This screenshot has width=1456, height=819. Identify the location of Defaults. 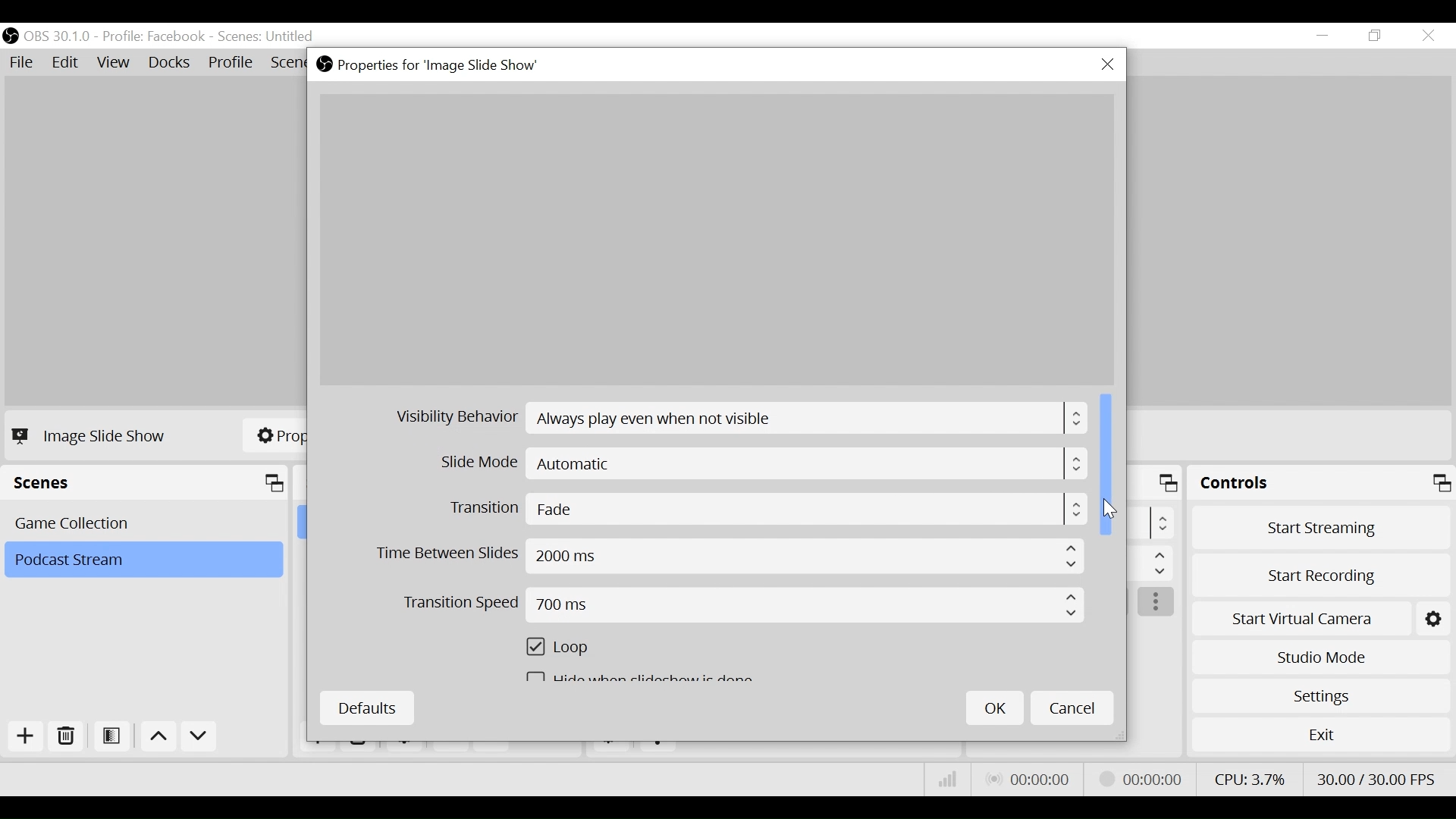
(366, 708).